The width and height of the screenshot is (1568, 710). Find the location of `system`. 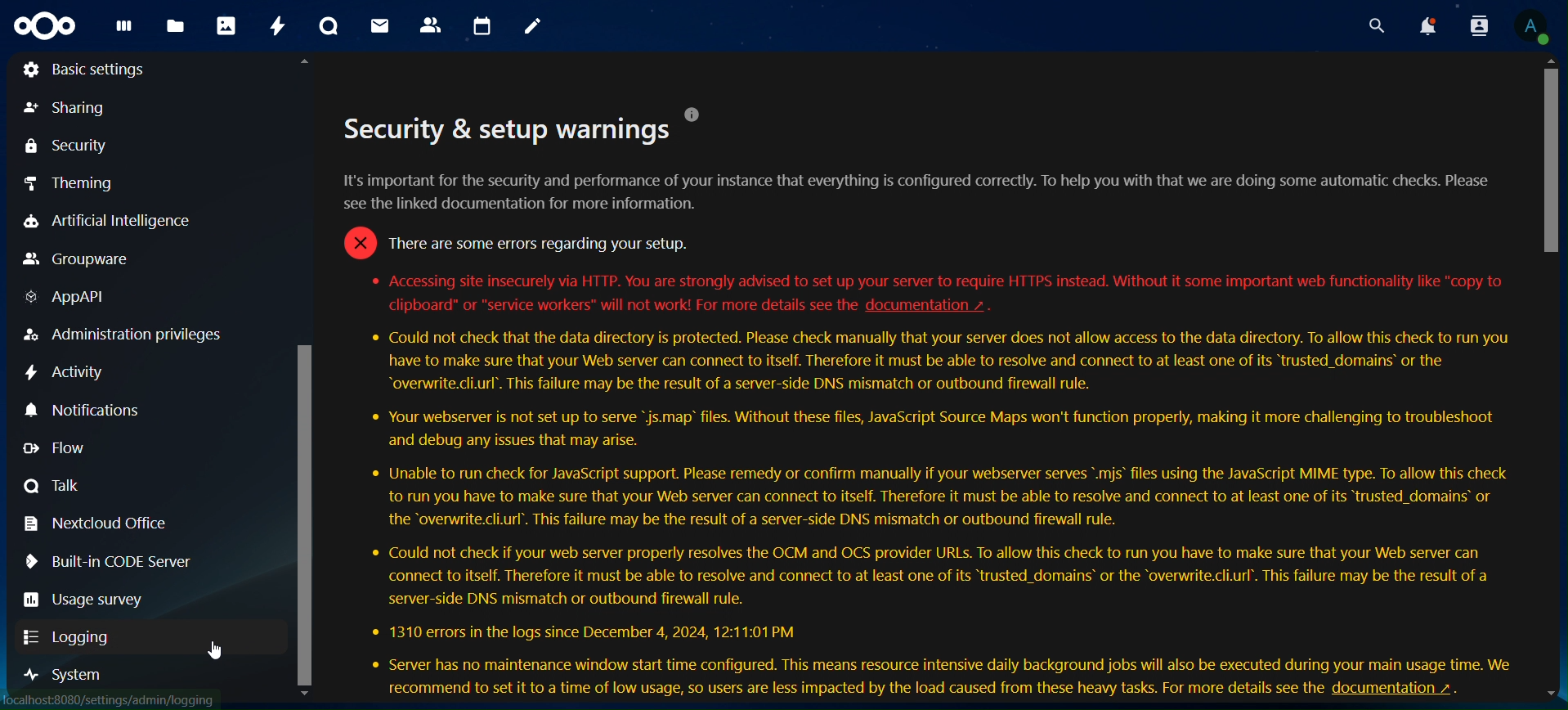

system is located at coordinates (65, 679).